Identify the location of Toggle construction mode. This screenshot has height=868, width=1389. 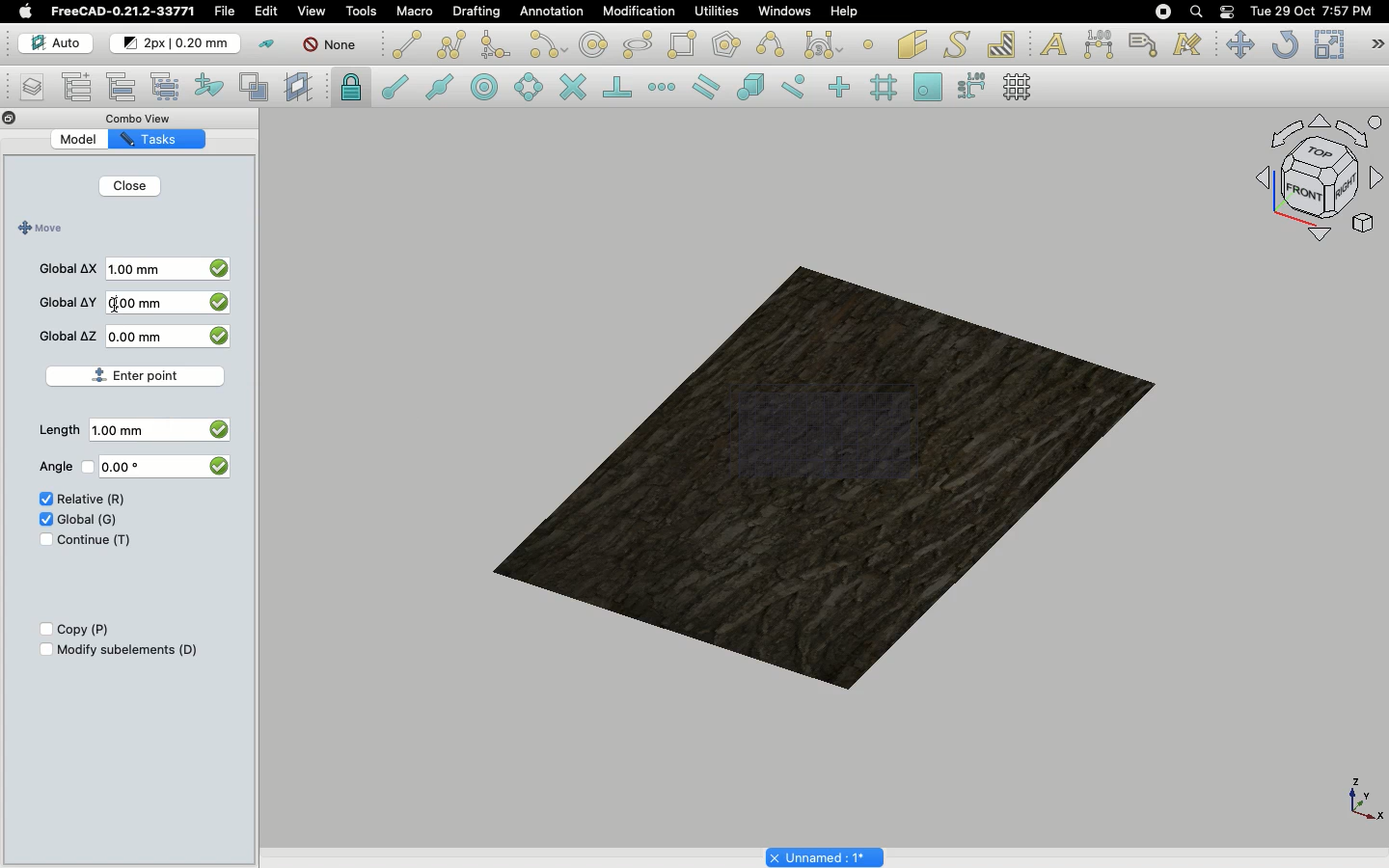
(267, 44).